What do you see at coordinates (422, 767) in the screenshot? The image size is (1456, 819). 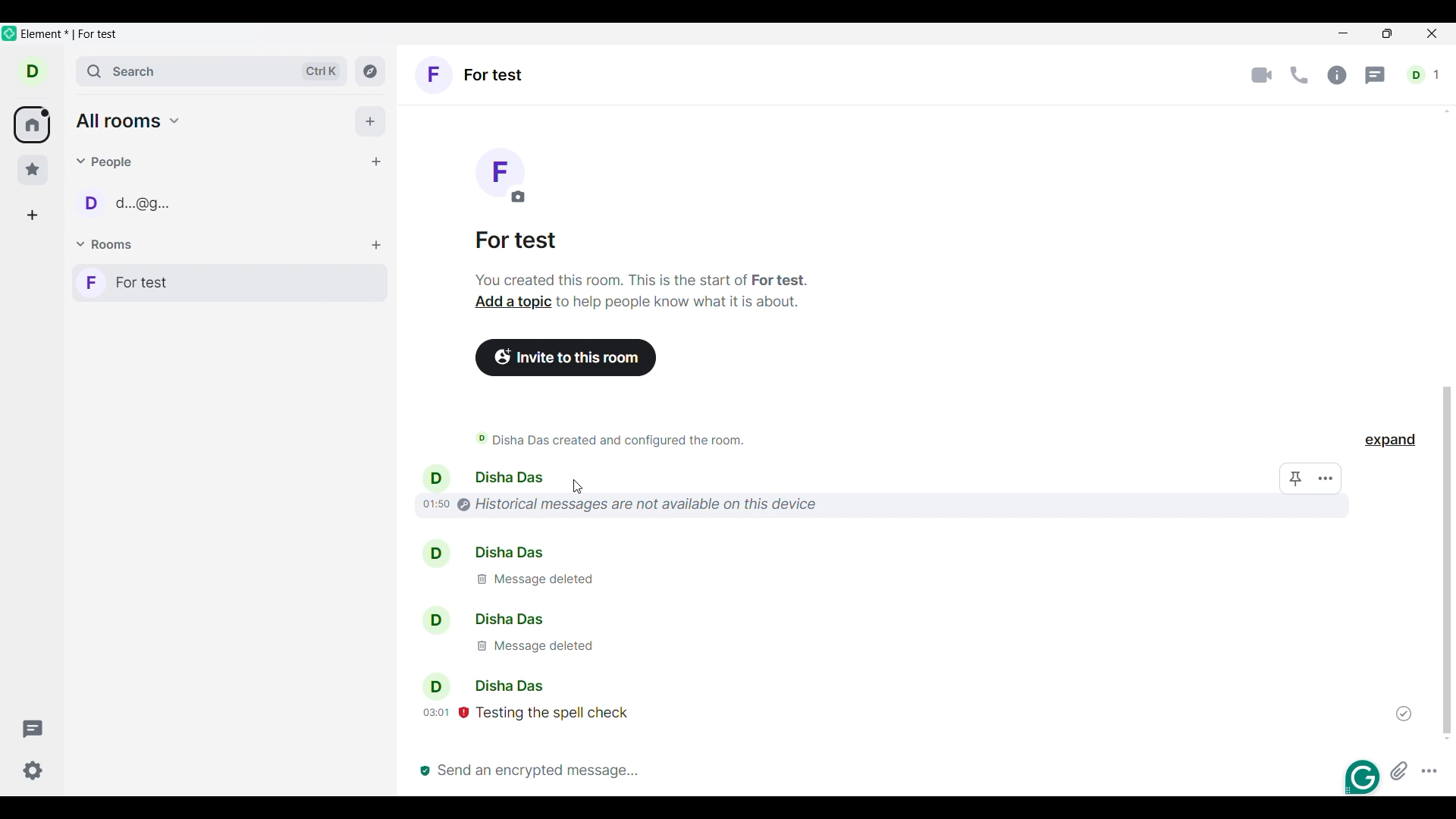 I see `everyone in this room is verified` at bounding box center [422, 767].